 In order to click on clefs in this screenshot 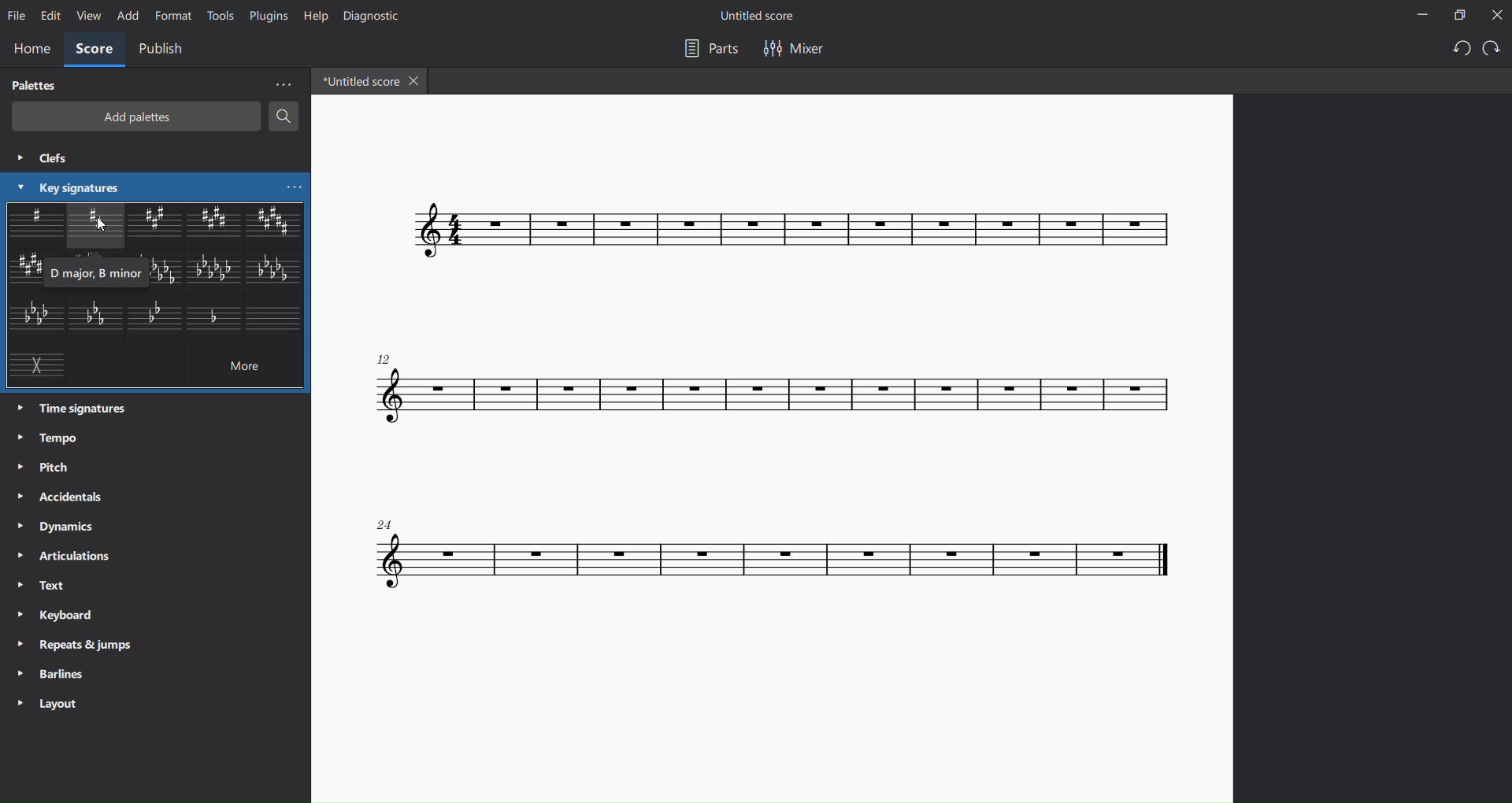, I will do `click(46, 157)`.